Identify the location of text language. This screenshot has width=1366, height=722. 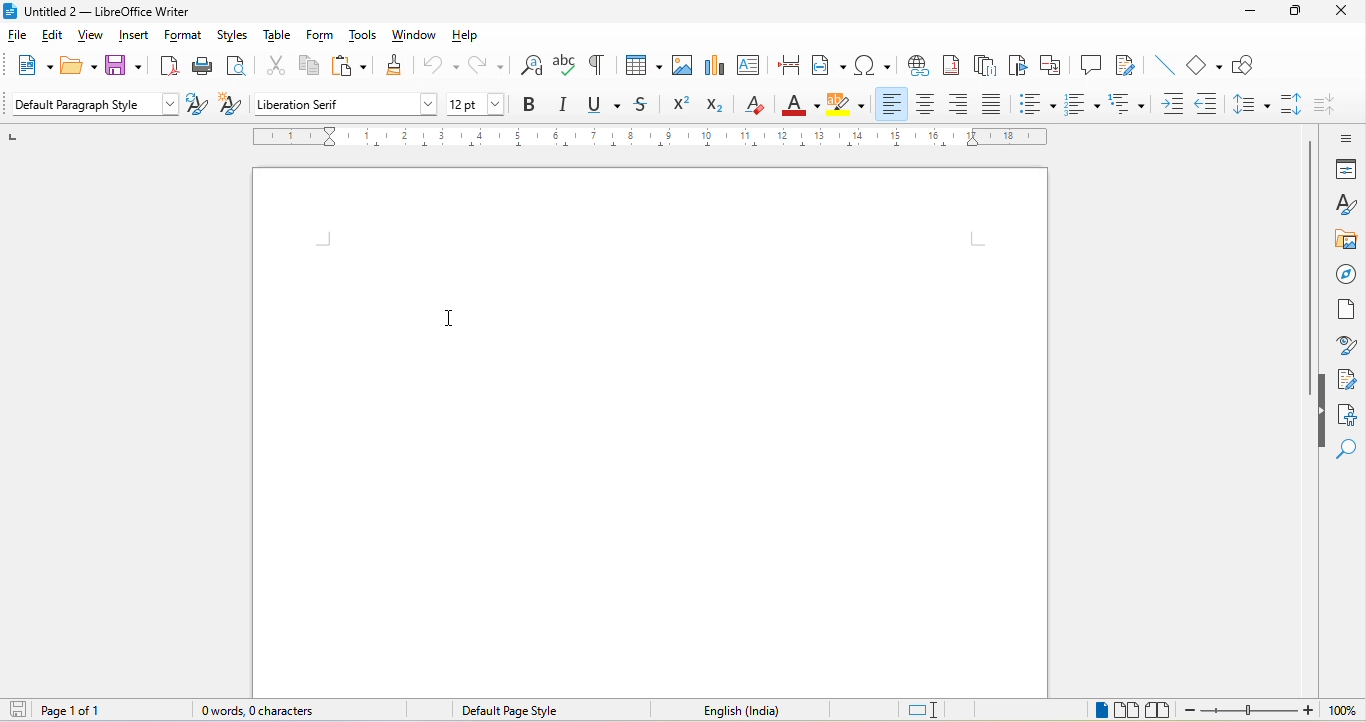
(742, 712).